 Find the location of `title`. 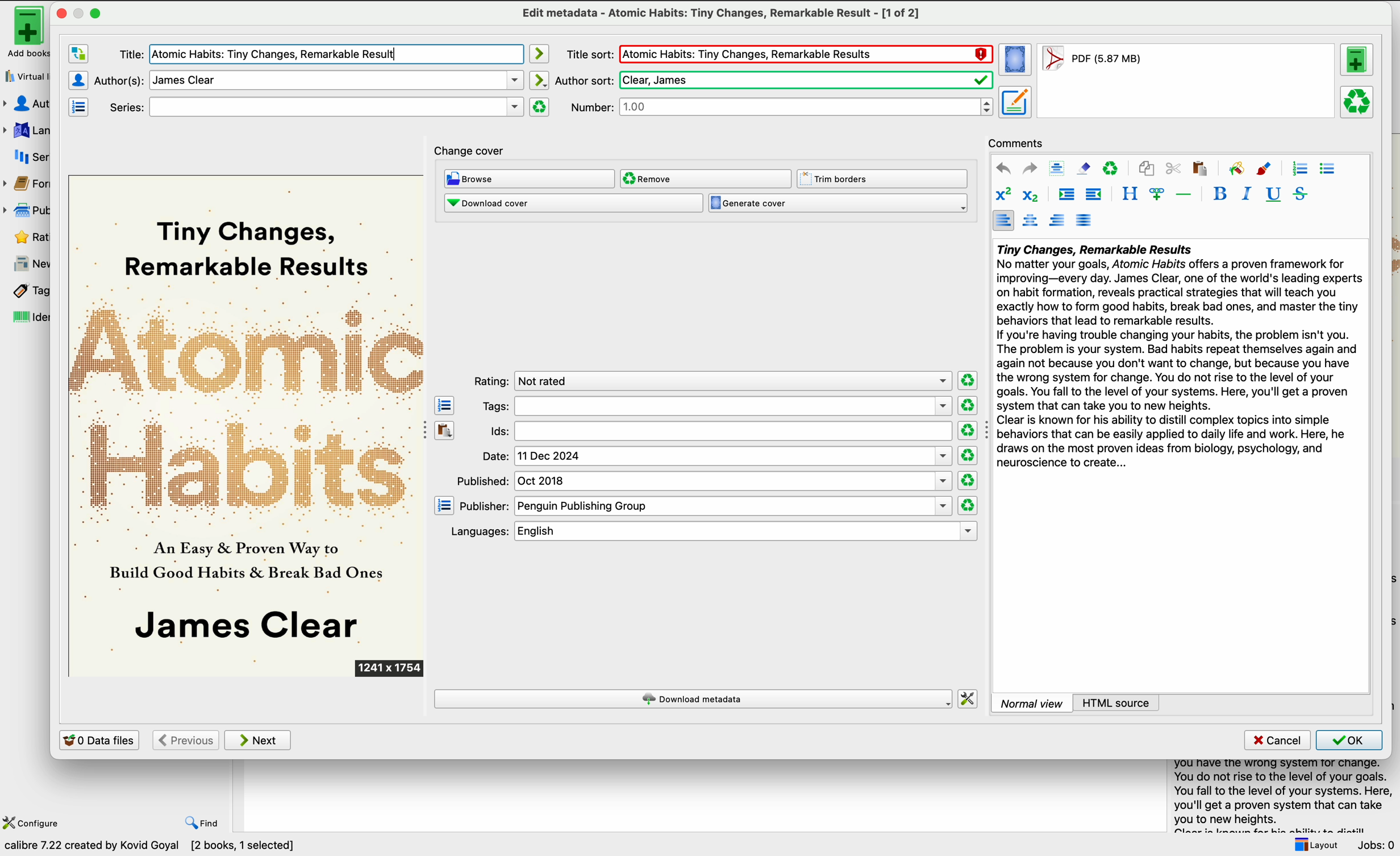

title is located at coordinates (316, 53).